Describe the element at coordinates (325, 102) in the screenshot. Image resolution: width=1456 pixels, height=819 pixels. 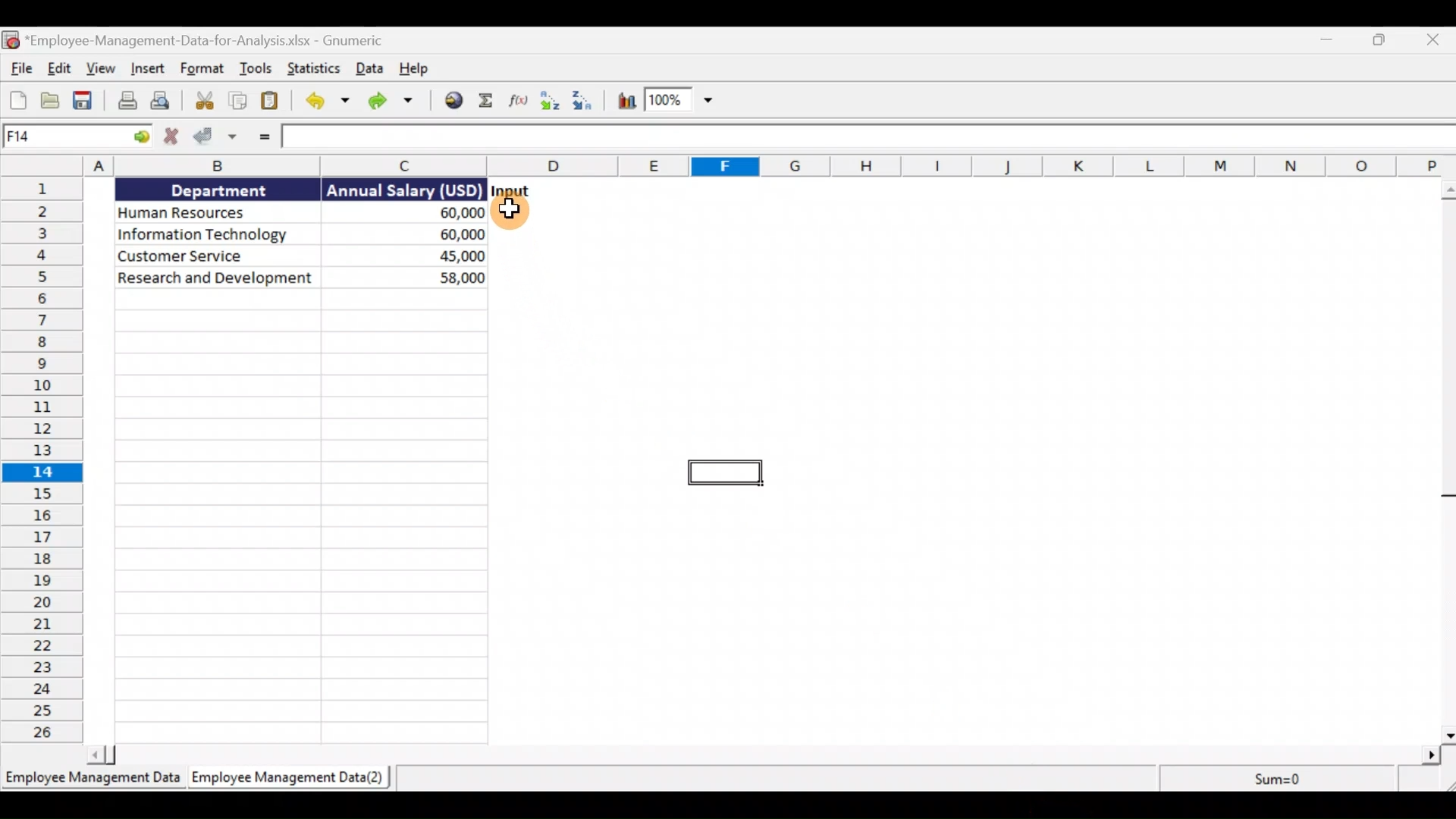
I see `Undo last action` at that location.